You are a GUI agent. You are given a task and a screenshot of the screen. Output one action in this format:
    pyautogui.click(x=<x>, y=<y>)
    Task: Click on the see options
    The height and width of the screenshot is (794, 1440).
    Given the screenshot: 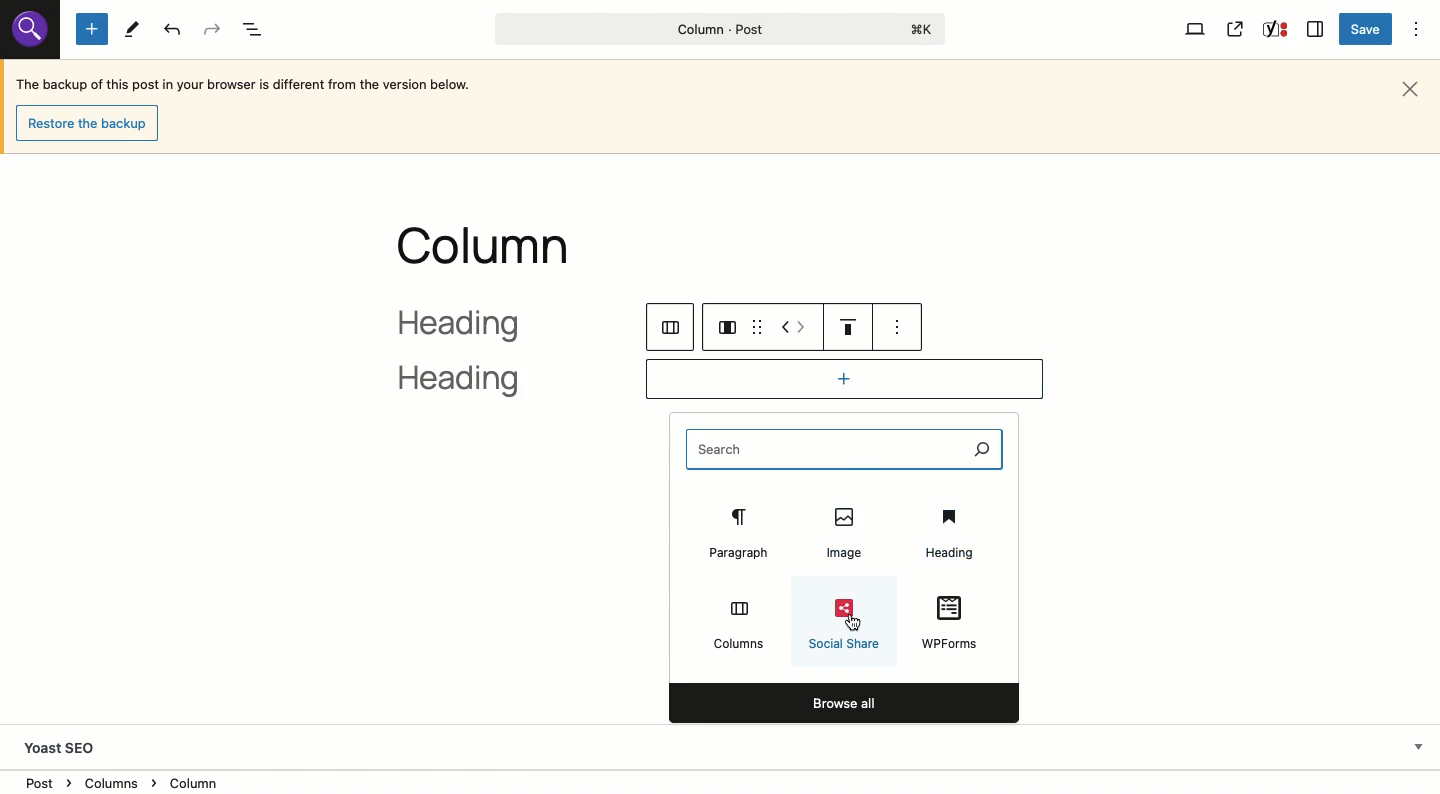 What is the action you would take?
    pyautogui.click(x=899, y=327)
    